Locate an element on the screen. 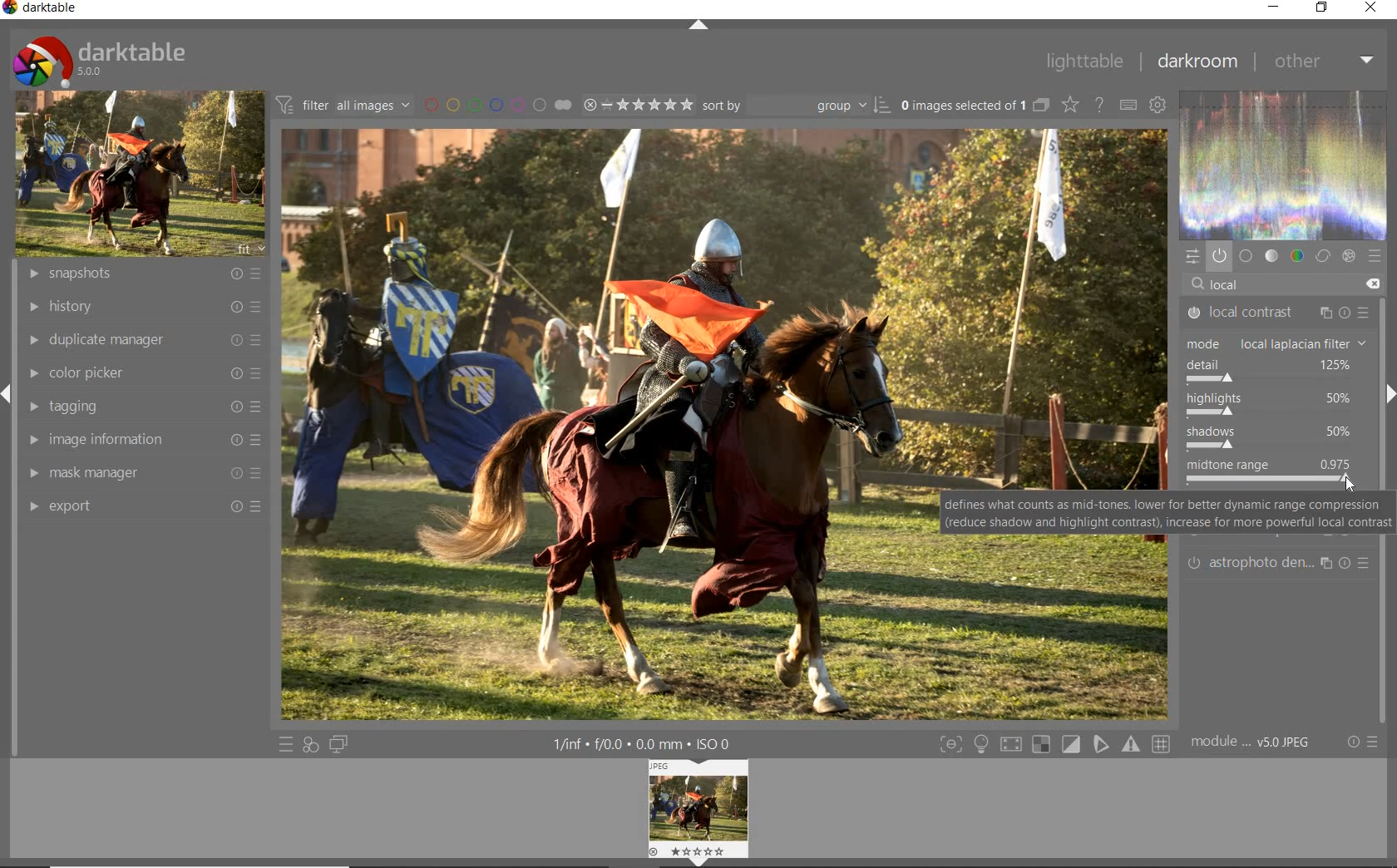 This screenshot has width=1397, height=868. quick access for applying any of your styles is located at coordinates (312, 743).